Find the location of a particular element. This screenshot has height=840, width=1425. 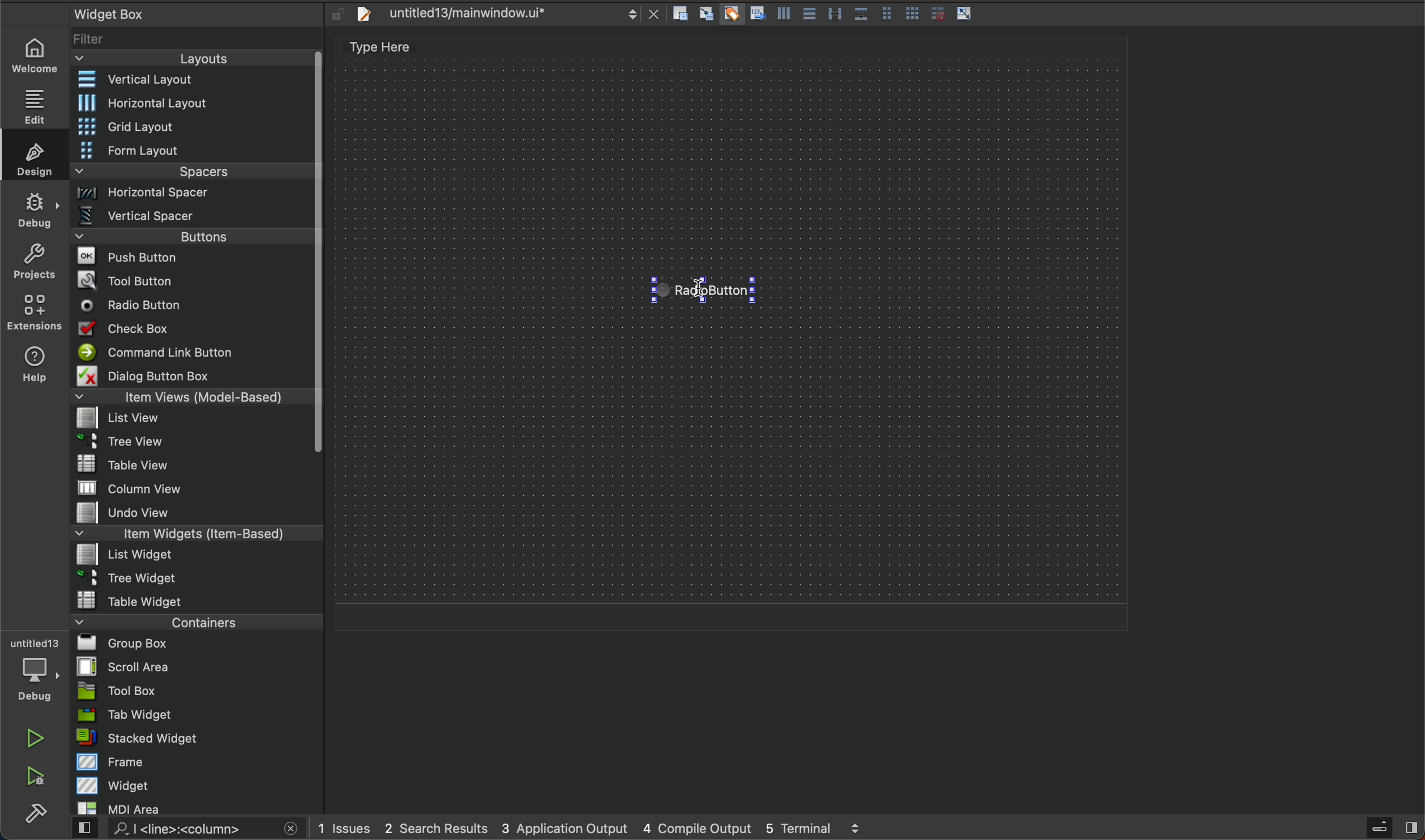

sidebar  is located at coordinates (1381, 828).